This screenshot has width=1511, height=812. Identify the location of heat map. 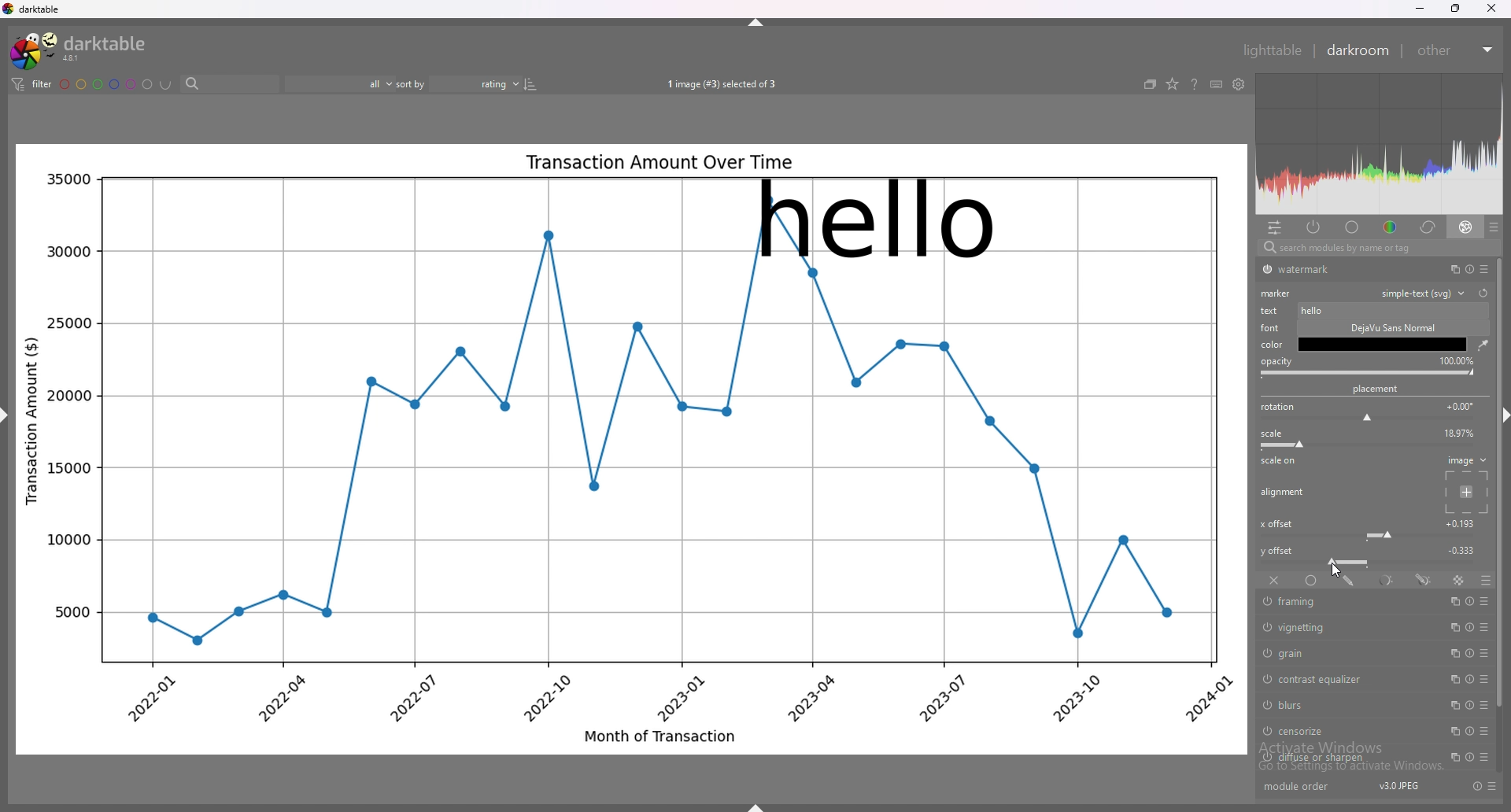
(1379, 144).